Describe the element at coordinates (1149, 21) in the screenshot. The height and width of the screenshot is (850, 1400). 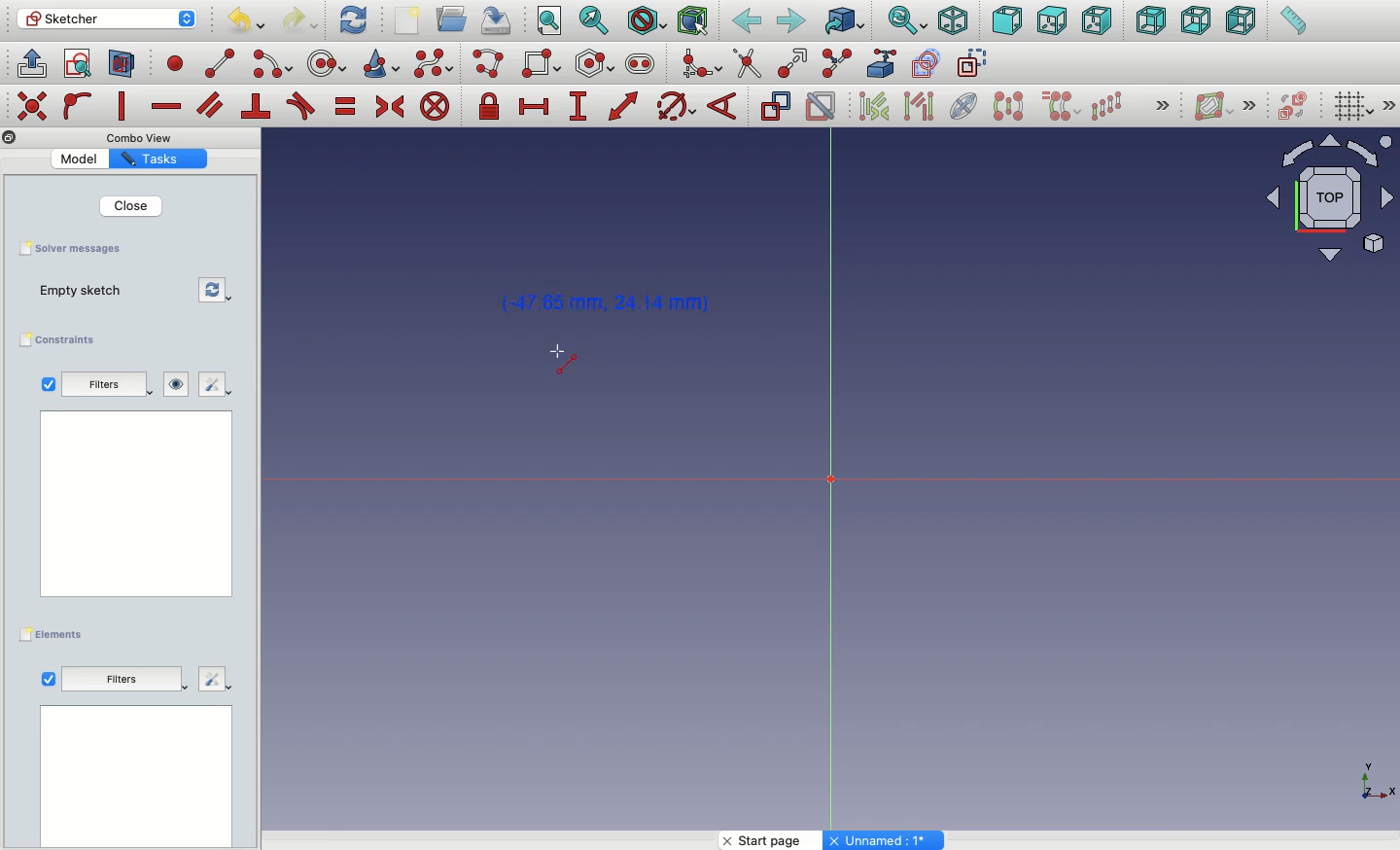
I see `Rear` at that location.